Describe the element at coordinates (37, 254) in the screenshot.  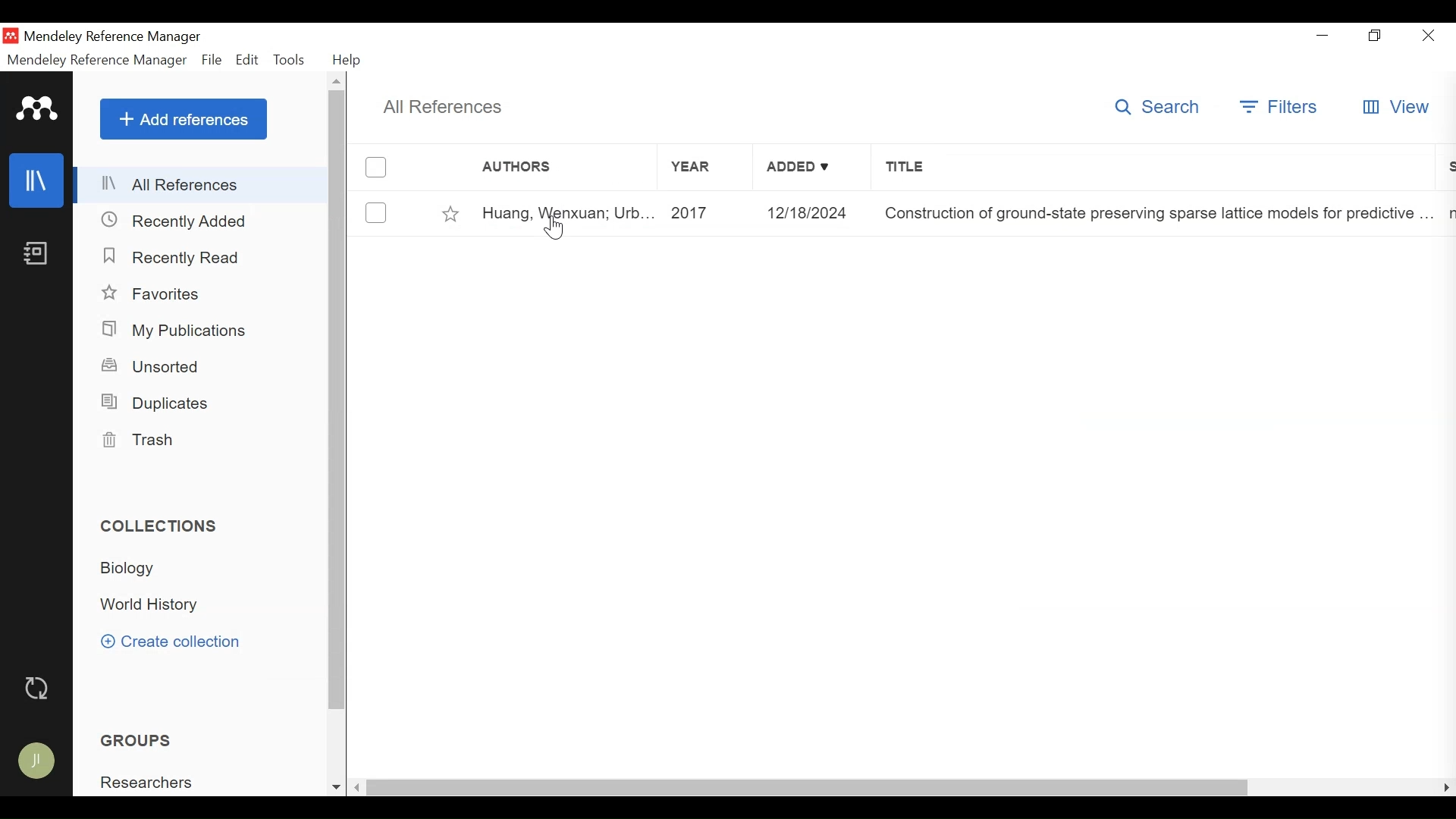
I see `Notebook` at that location.